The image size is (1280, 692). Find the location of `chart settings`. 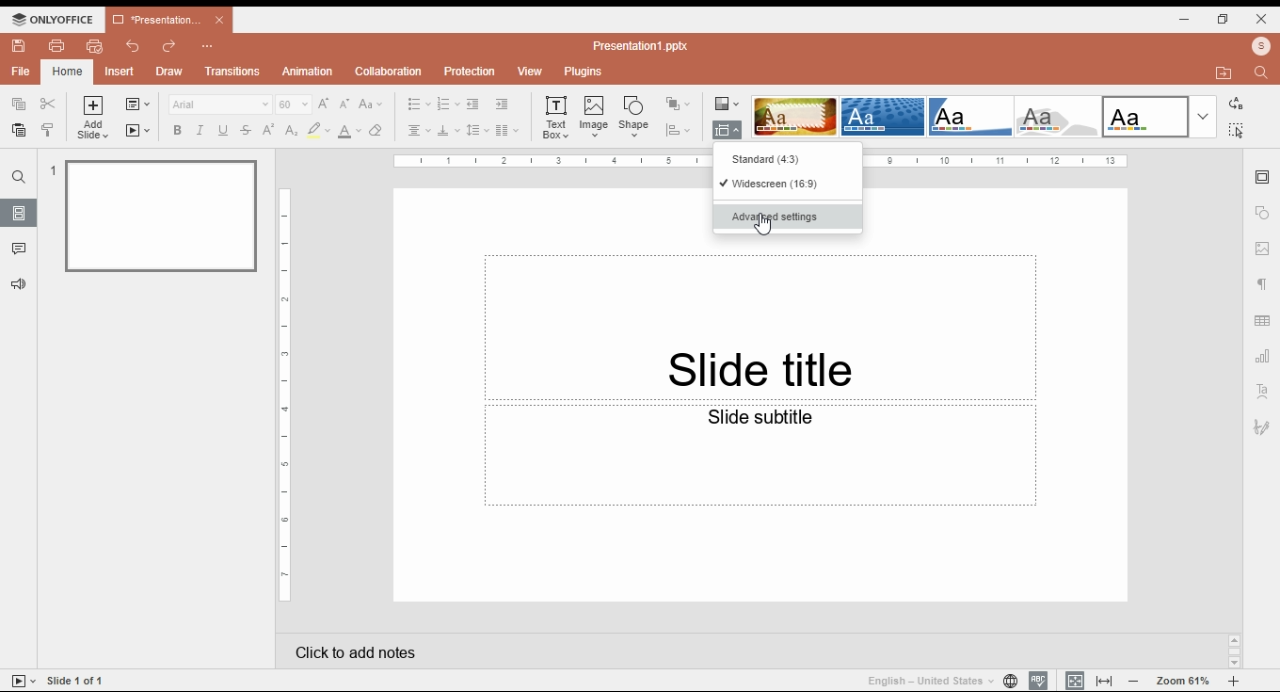

chart settings is located at coordinates (1264, 356).